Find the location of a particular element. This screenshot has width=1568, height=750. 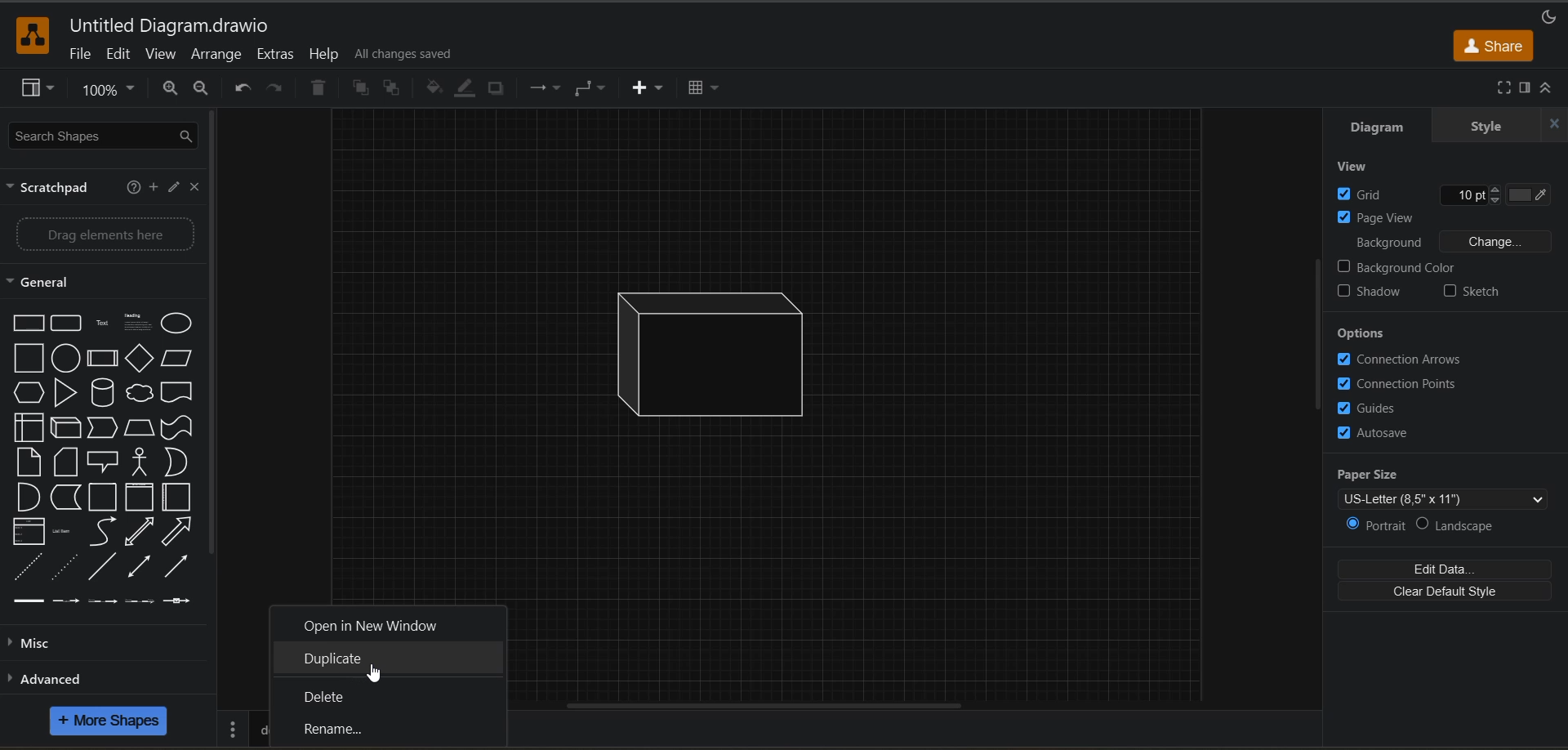

help is located at coordinates (327, 56).